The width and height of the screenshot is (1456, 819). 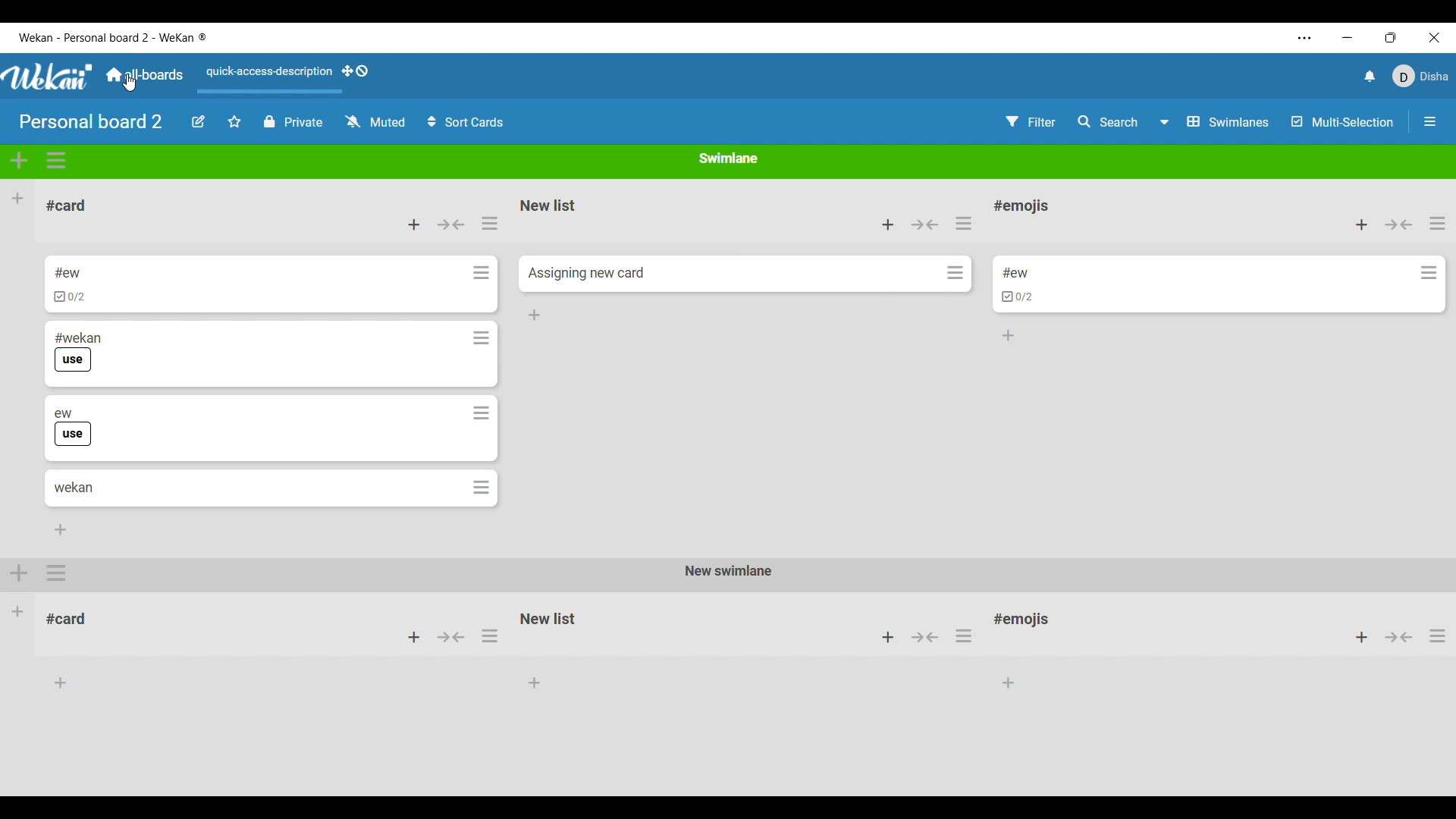 What do you see at coordinates (490, 638) in the screenshot?
I see `actions` at bounding box center [490, 638].